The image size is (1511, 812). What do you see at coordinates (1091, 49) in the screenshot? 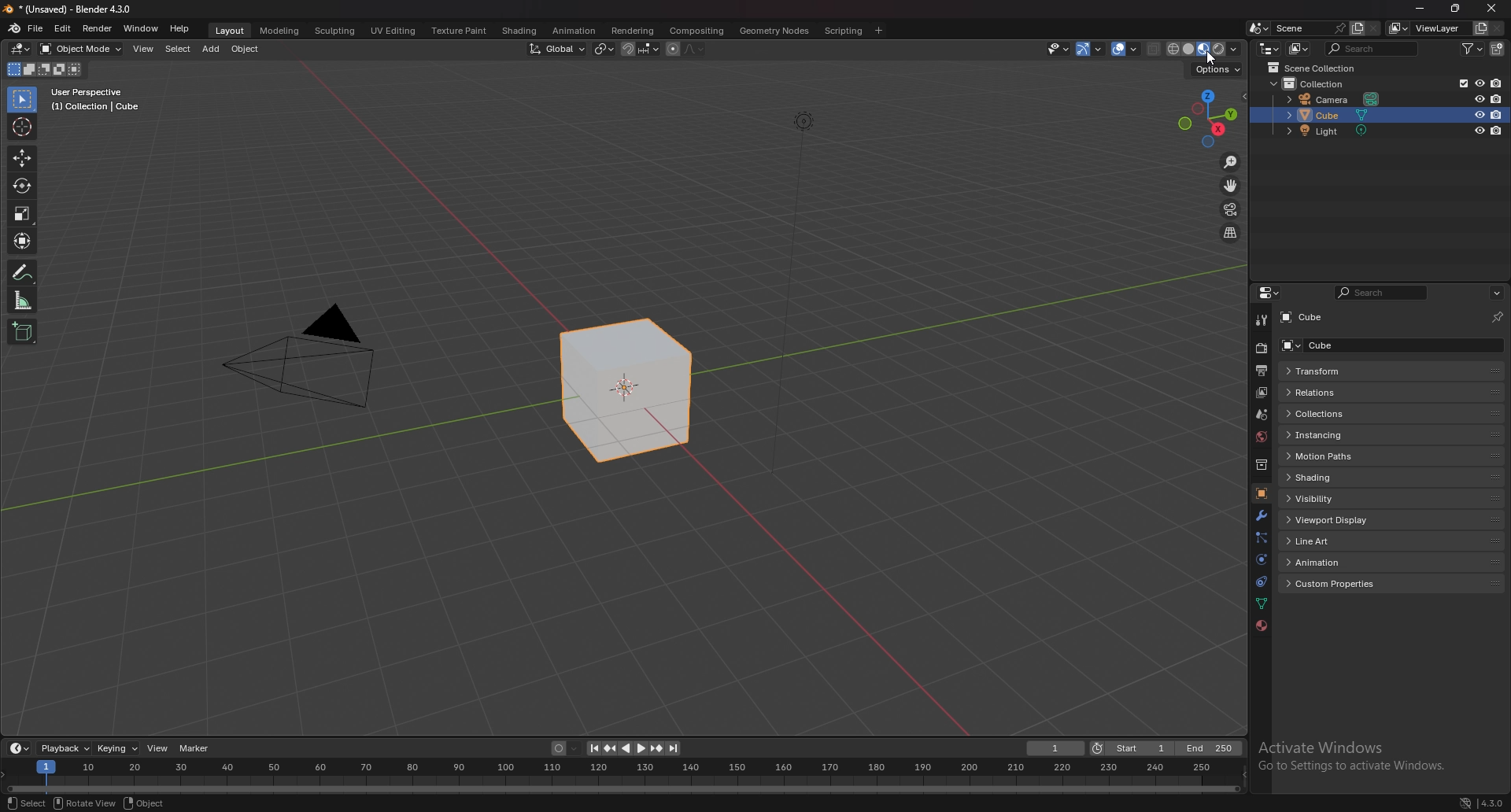
I see `show gizmo` at bounding box center [1091, 49].